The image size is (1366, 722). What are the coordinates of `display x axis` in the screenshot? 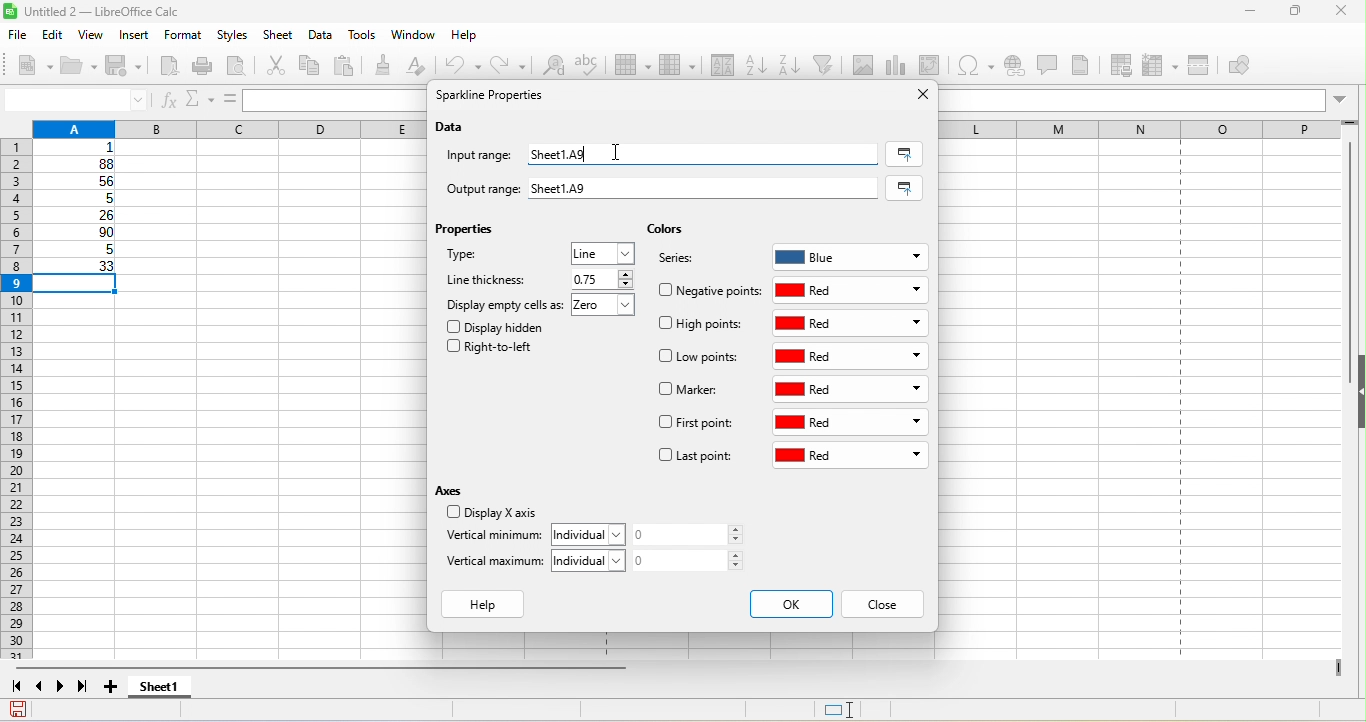 It's located at (489, 514).